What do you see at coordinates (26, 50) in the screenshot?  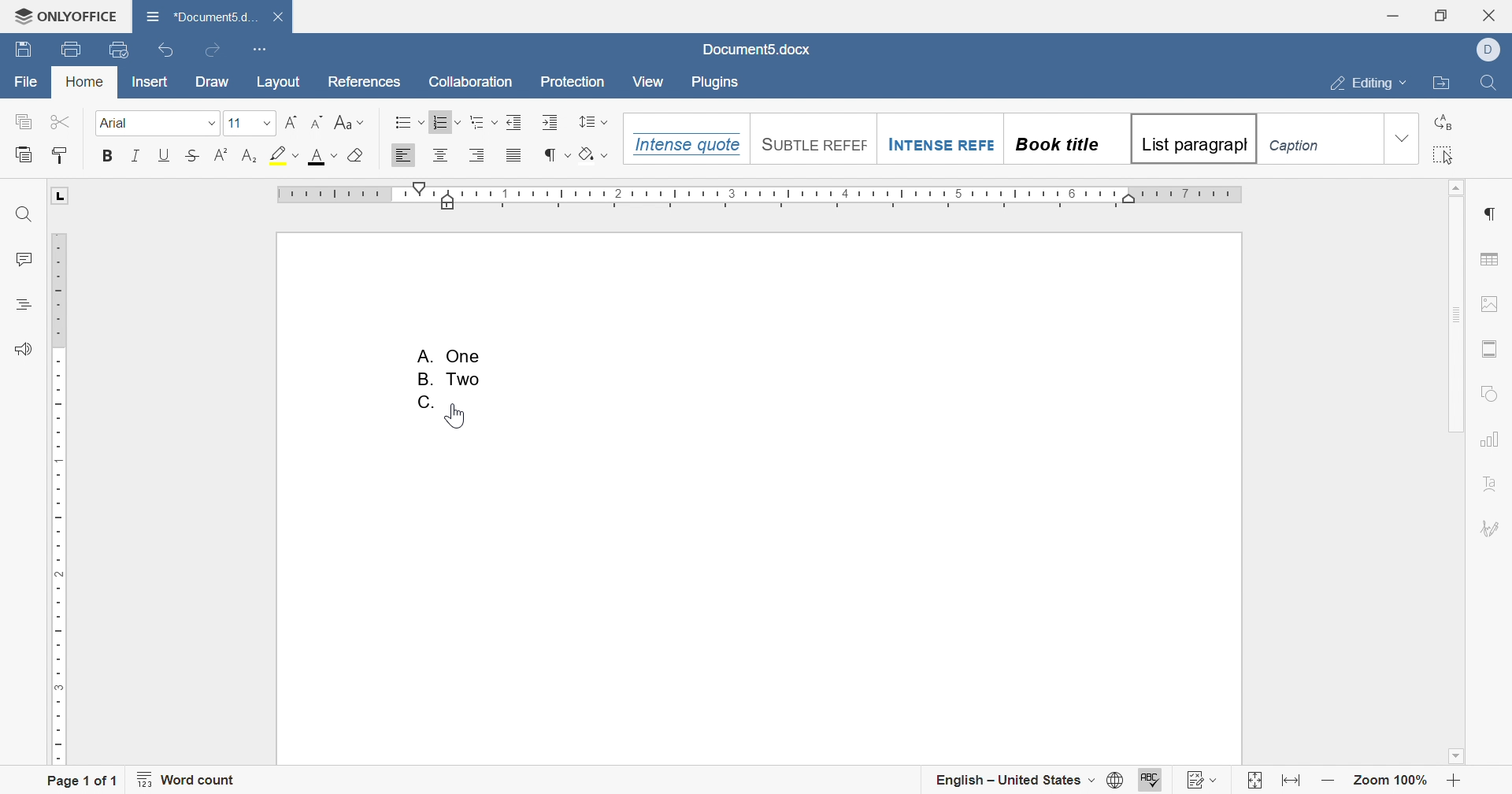 I see `save` at bounding box center [26, 50].